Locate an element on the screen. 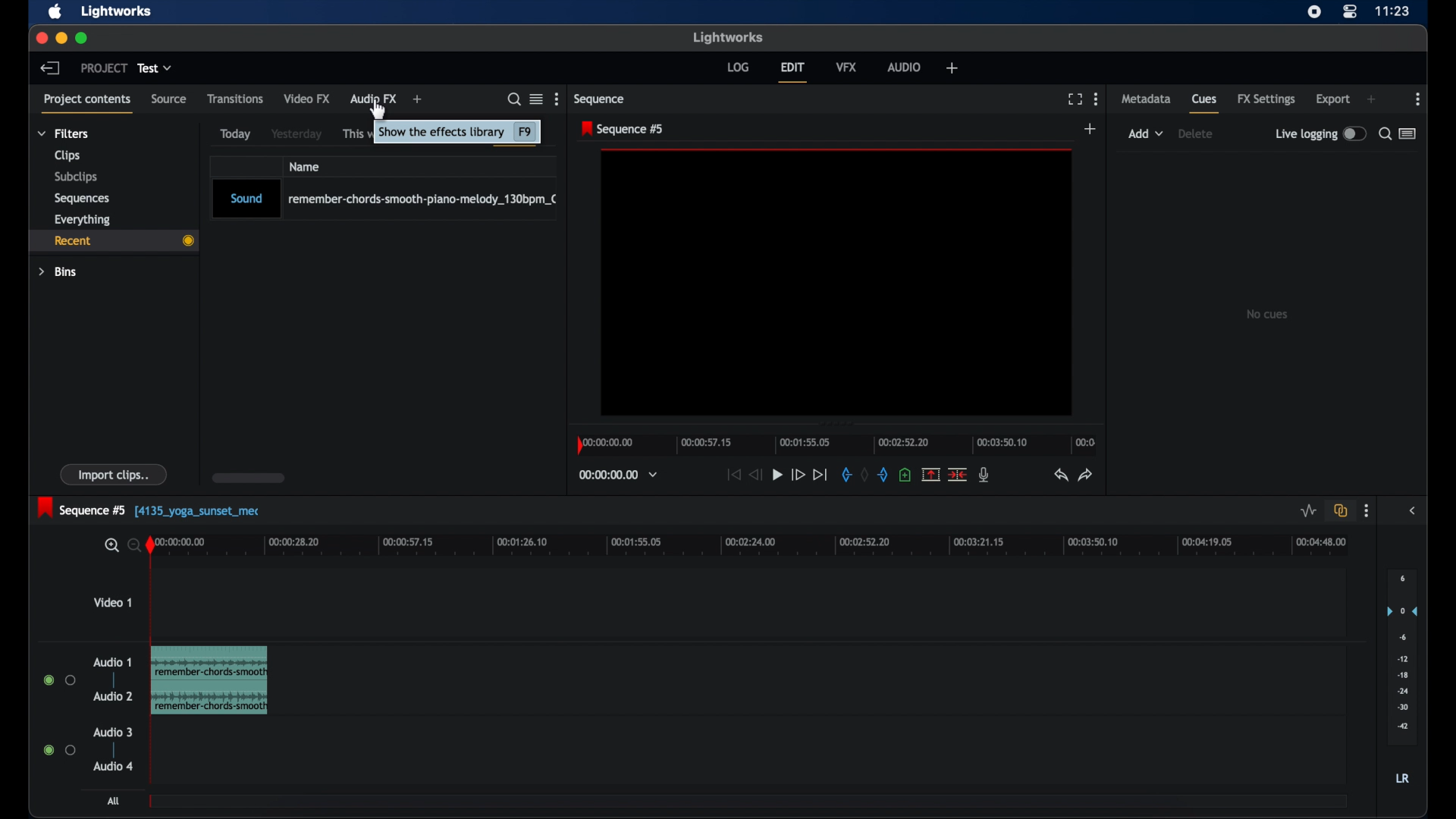 The height and width of the screenshot is (819, 1456). filters is located at coordinates (63, 133).